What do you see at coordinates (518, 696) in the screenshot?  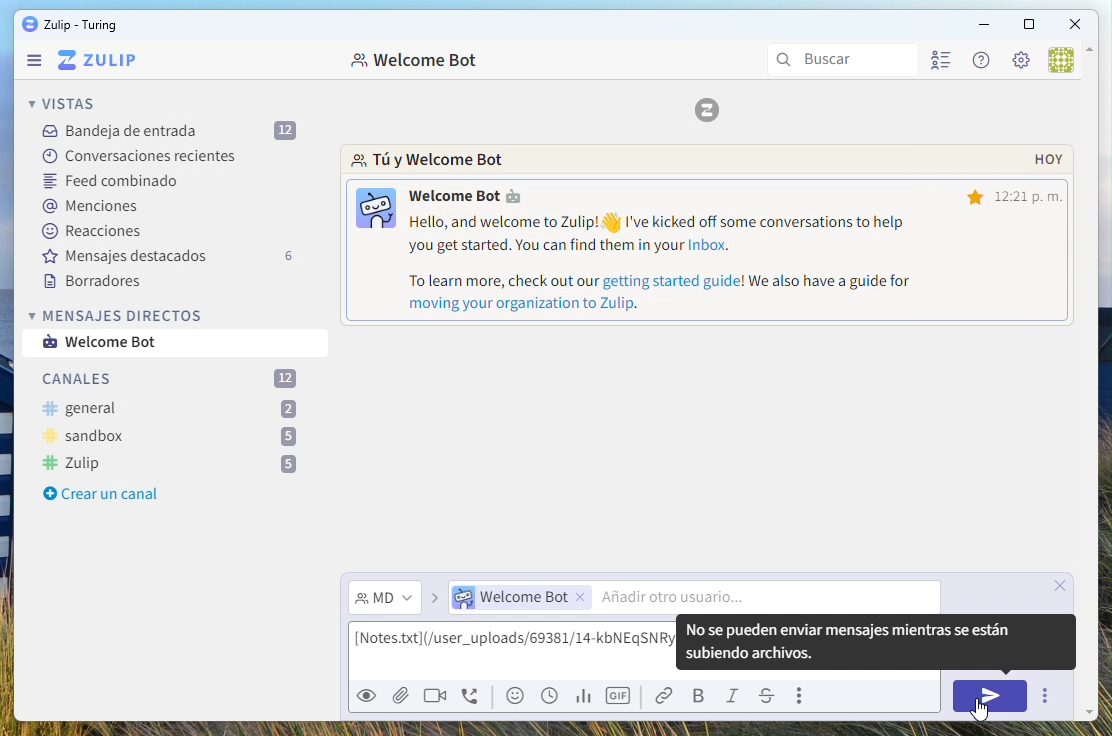 I see `Face` at bounding box center [518, 696].